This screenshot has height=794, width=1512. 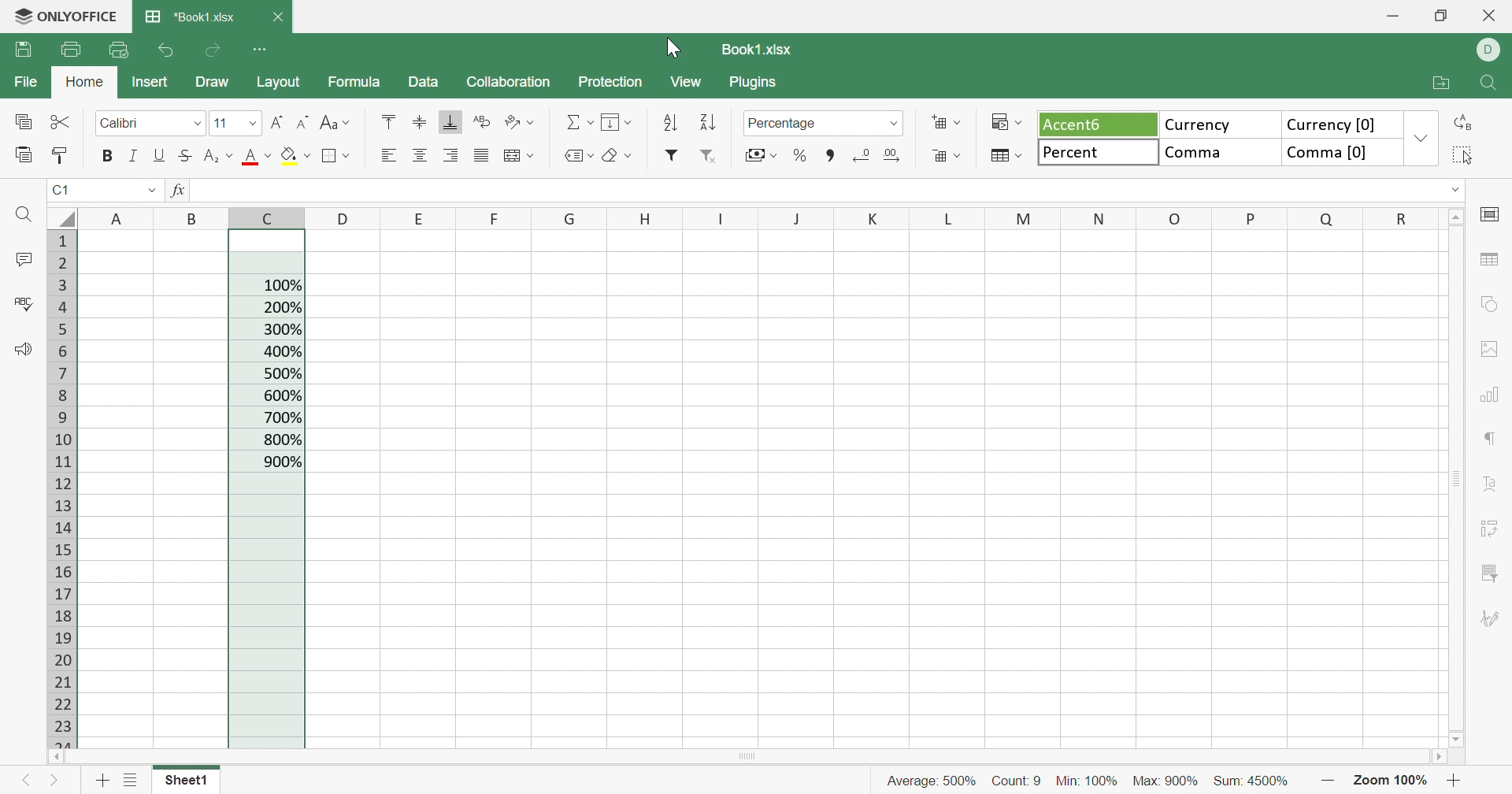 I want to click on F, so click(x=483, y=217).